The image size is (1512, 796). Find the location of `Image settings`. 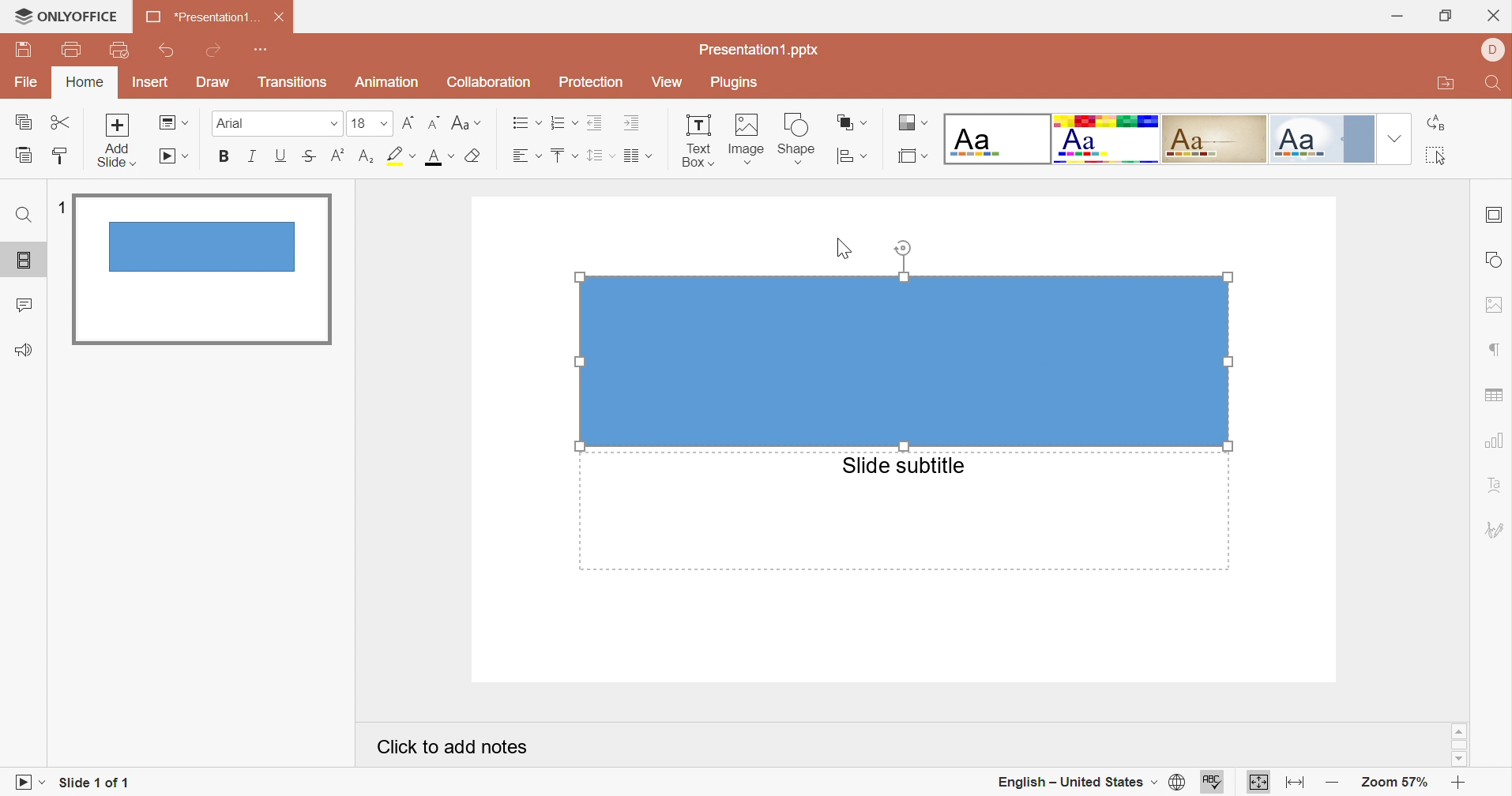

Image settings is located at coordinates (1493, 306).